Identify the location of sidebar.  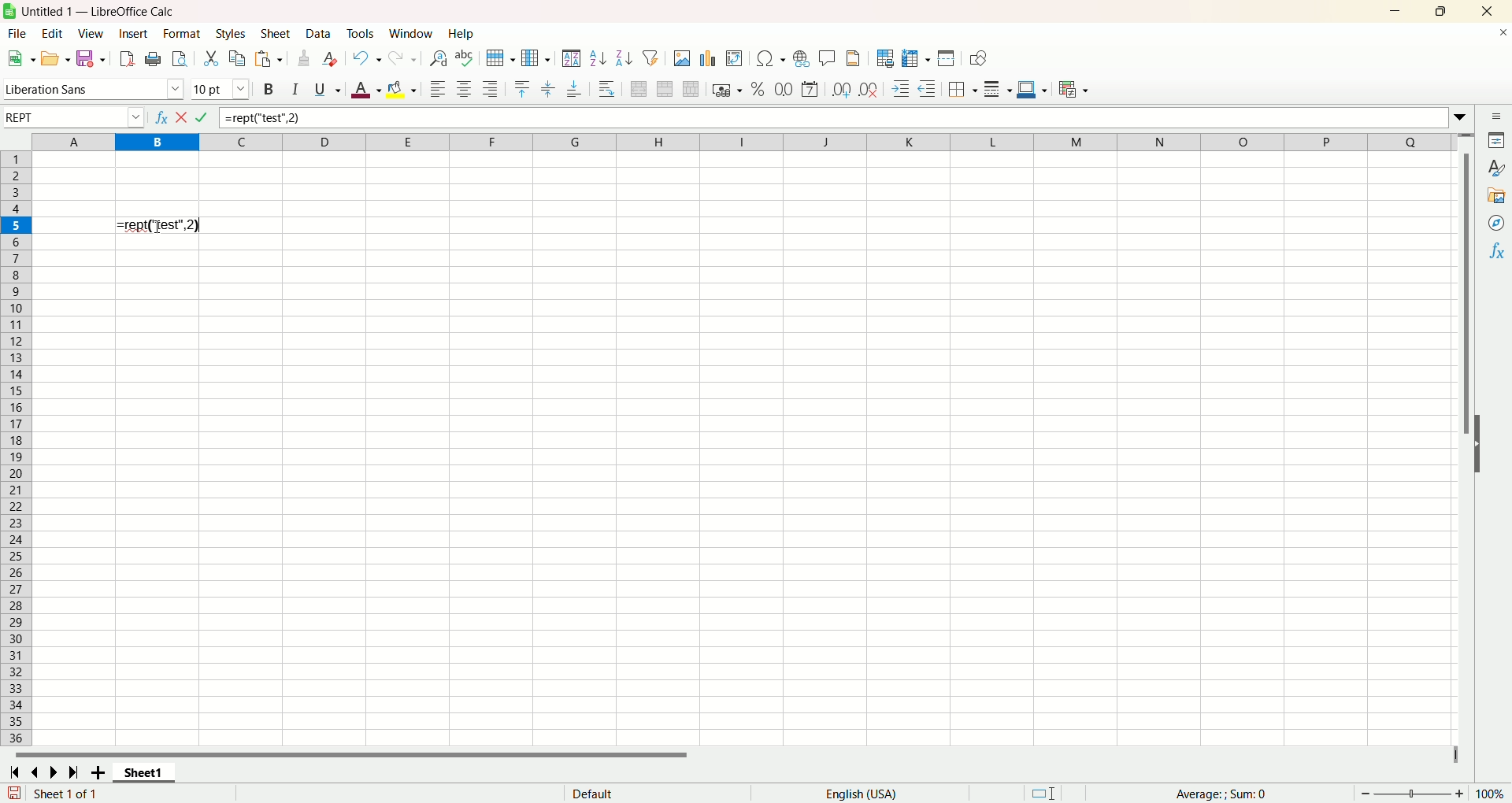
(1495, 117).